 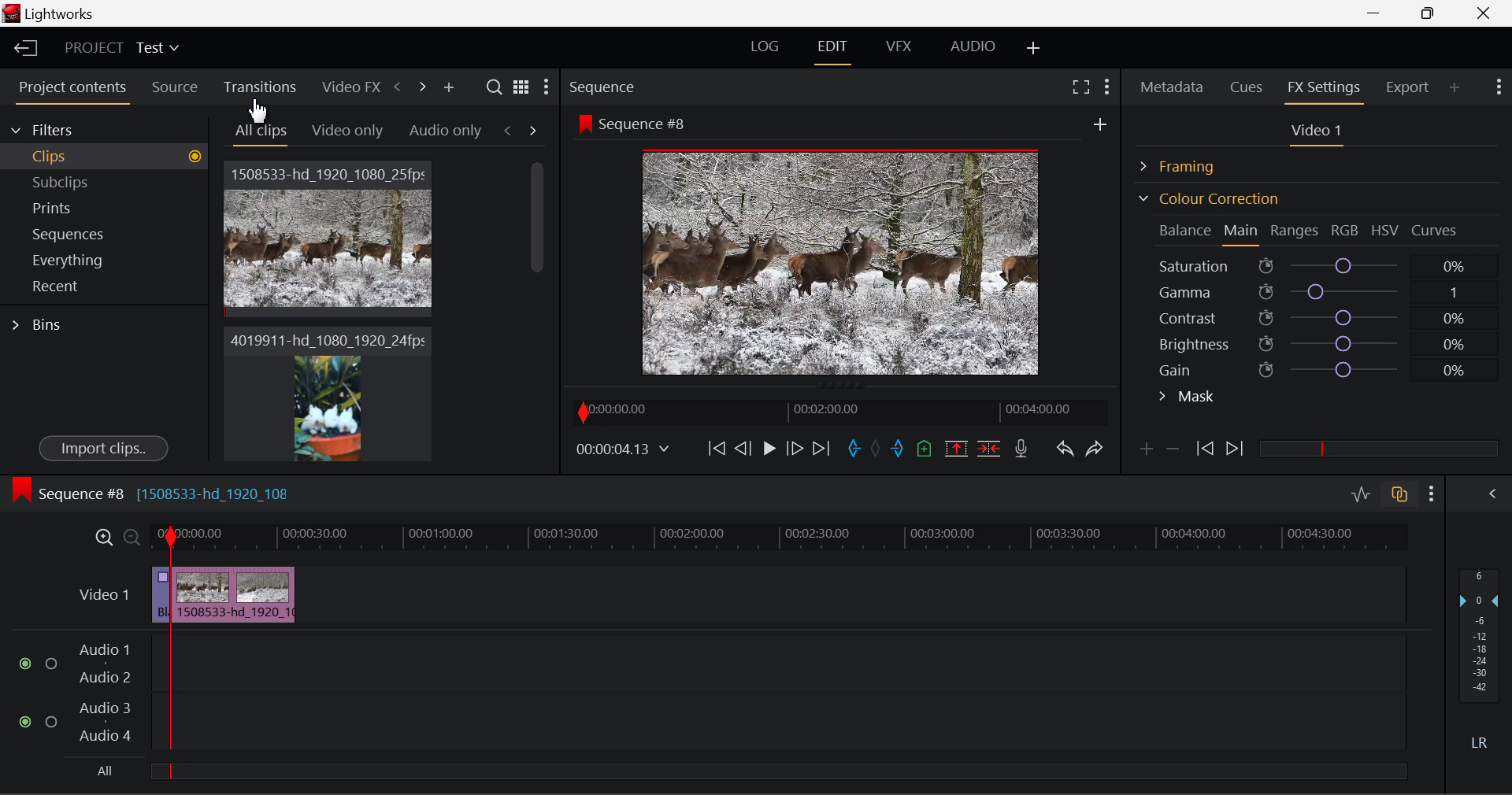 What do you see at coordinates (1400, 493) in the screenshot?
I see `Toggle audio track sync` at bounding box center [1400, 493].